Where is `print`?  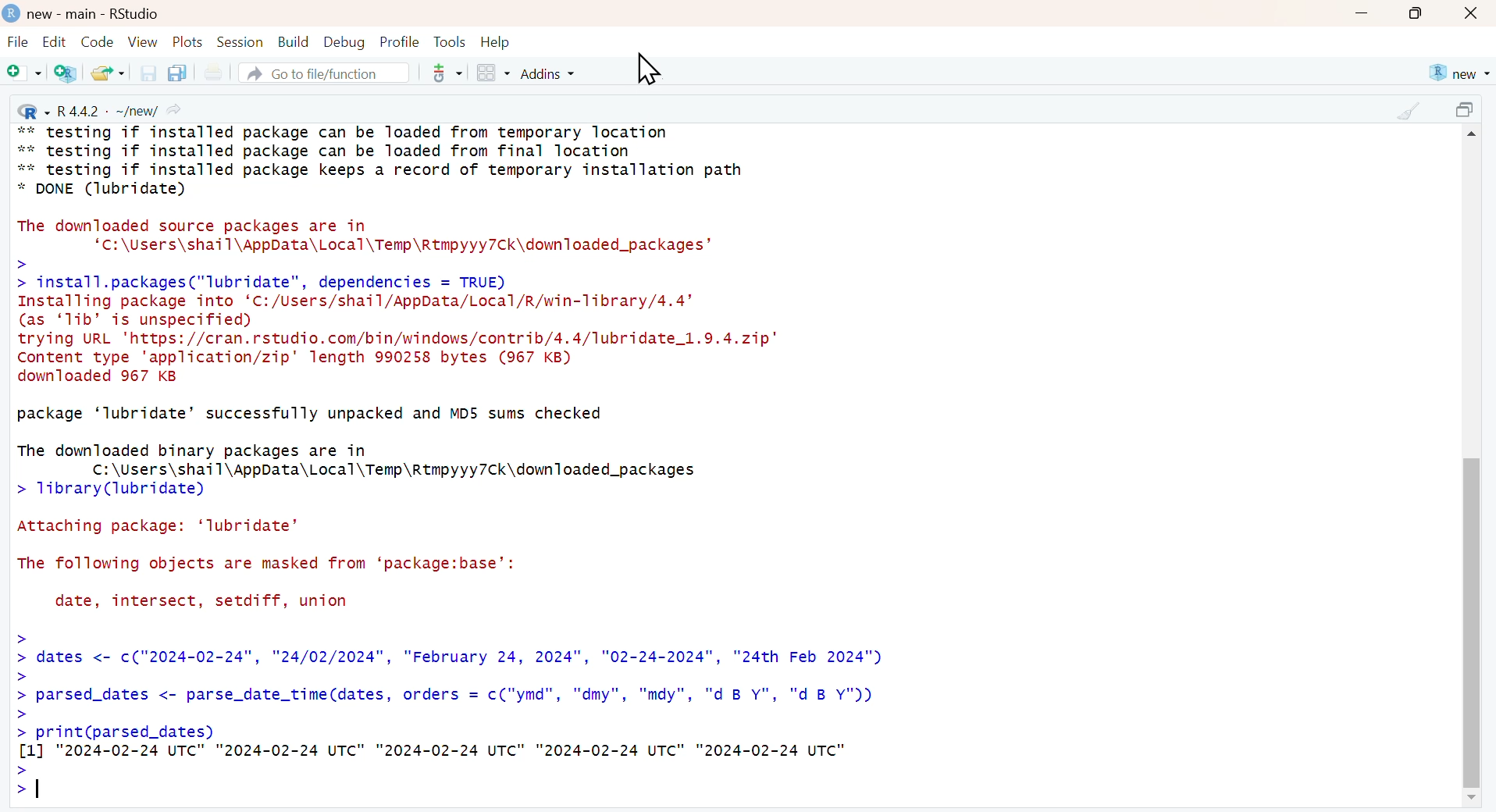 print is located at coordinates (212, 73).